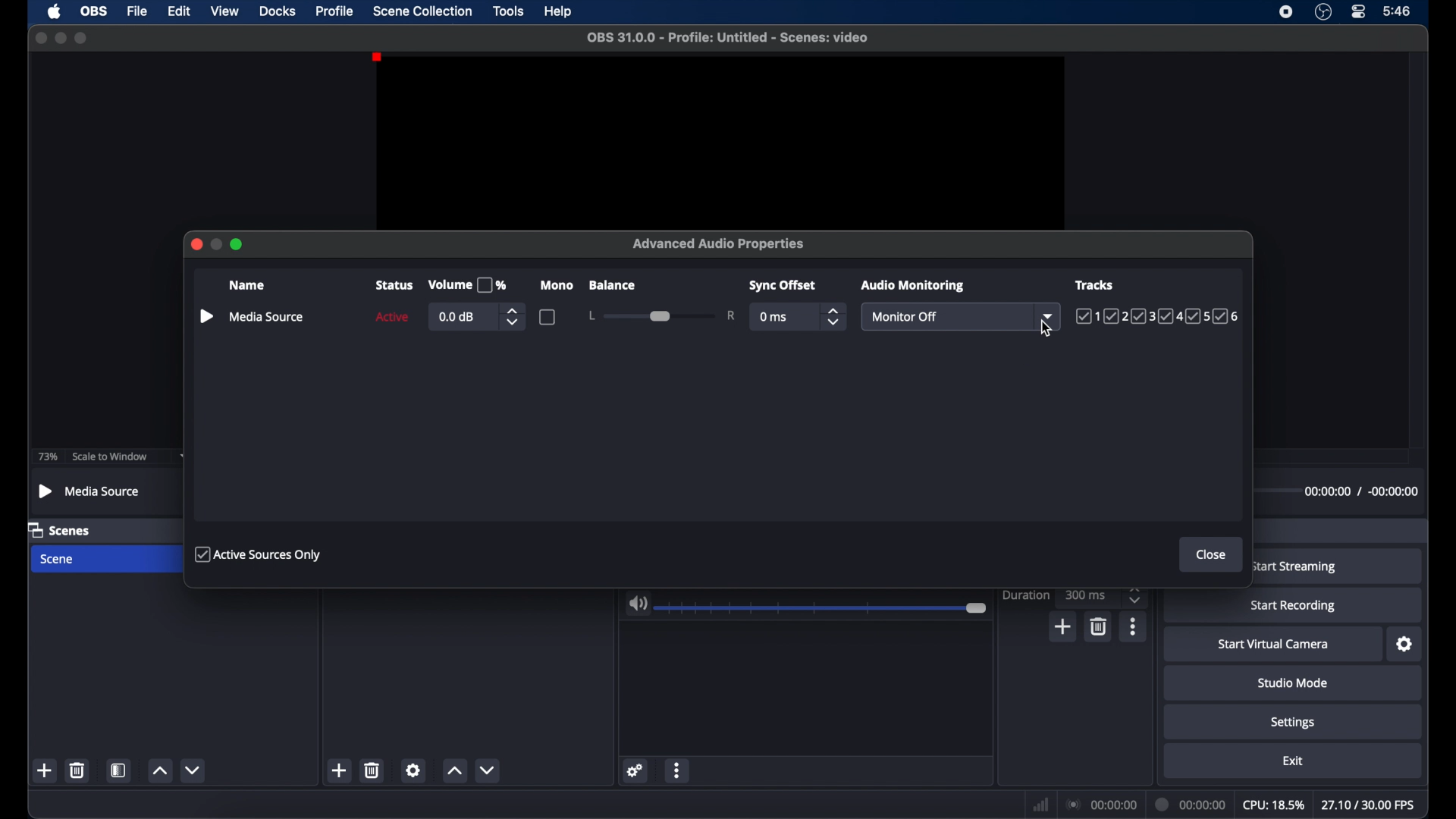 This screenshot has width=1456, height=819. Describe the element at coordinates (1293, 722) in the screenshot. I see `settings` at that location.